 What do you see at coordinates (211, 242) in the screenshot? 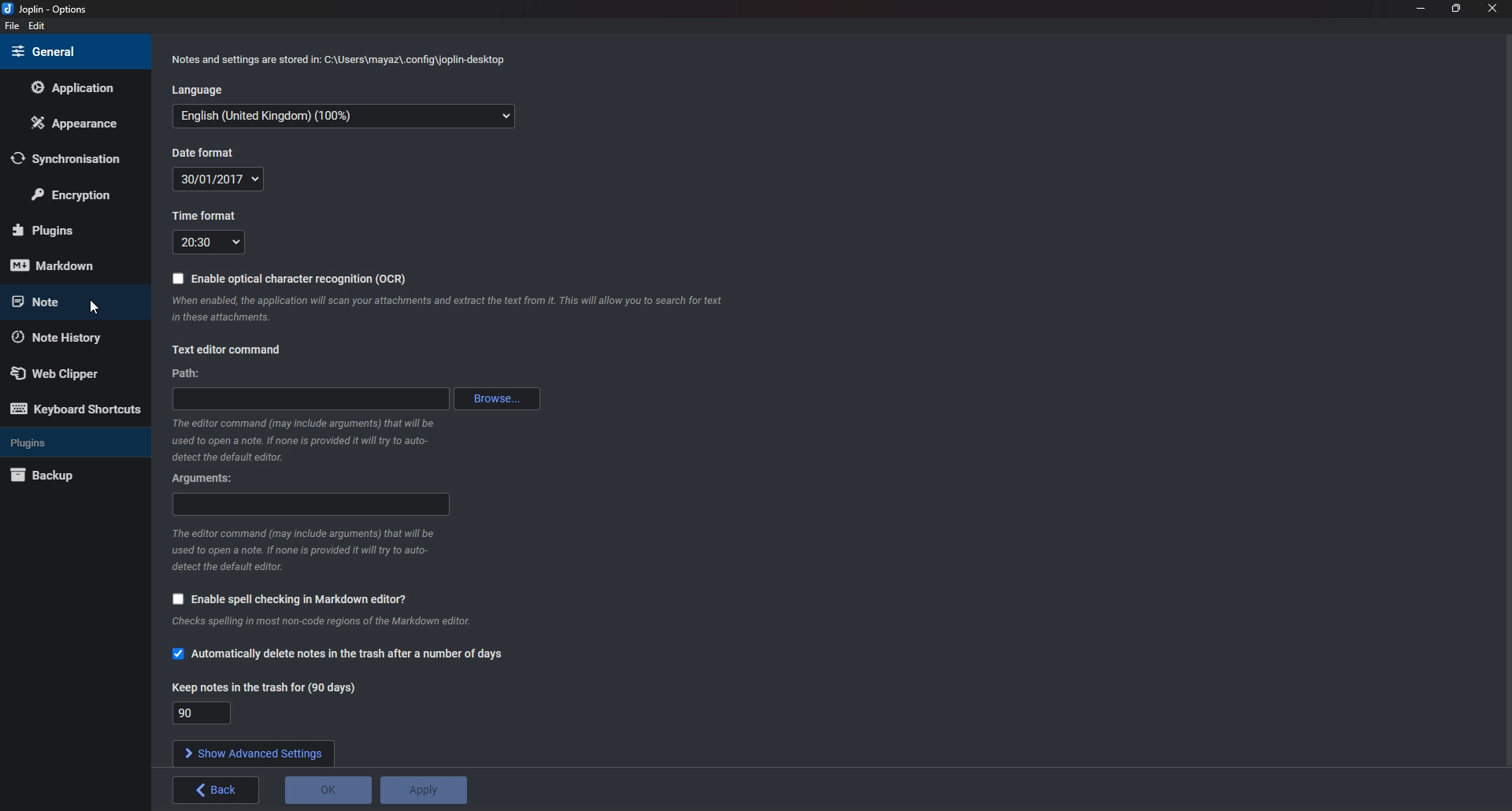
I see `20:30` at bounding box center [211, 242].